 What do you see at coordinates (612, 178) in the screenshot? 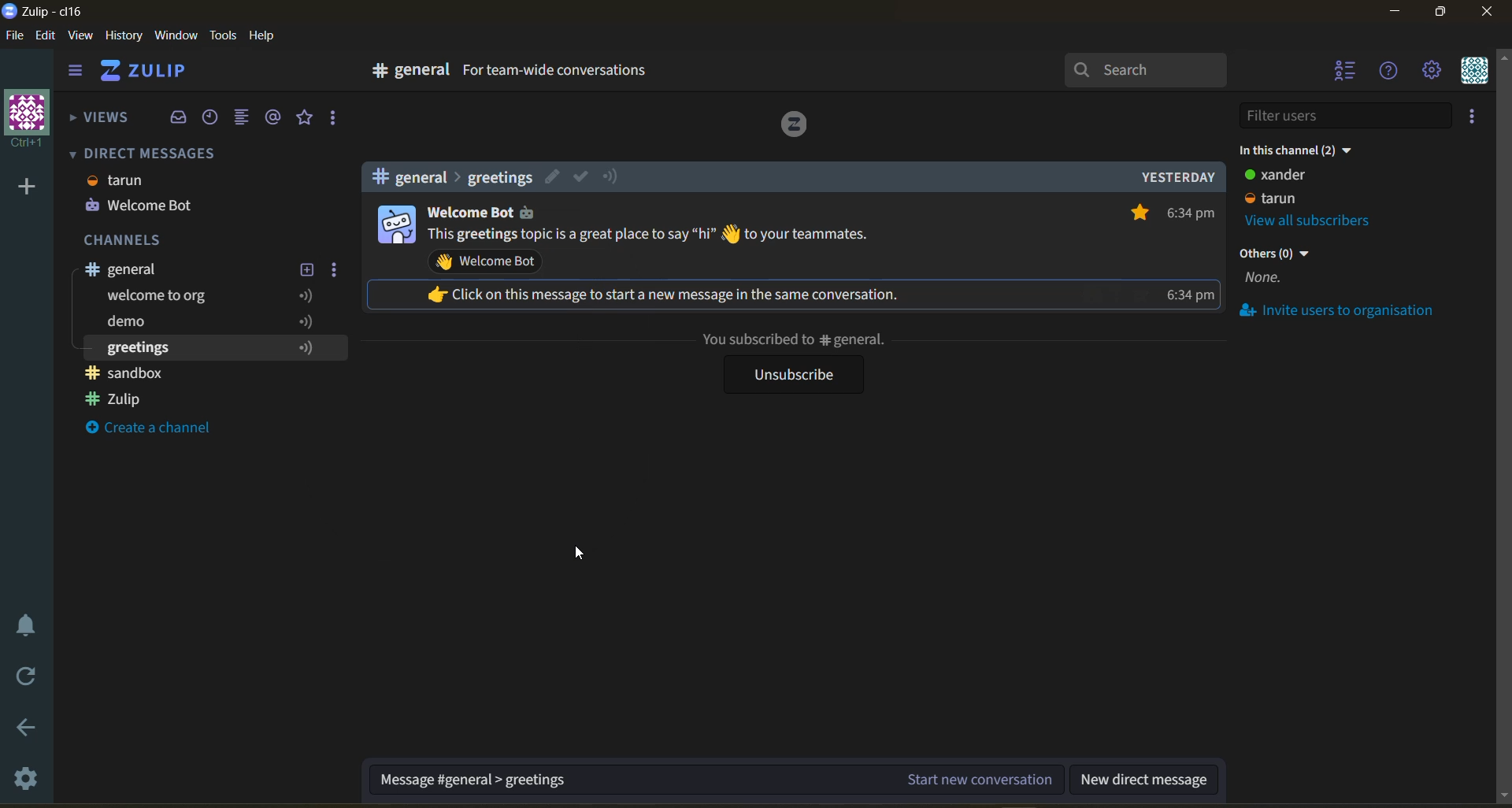
I see `notify` at bounding box center [612, 178].